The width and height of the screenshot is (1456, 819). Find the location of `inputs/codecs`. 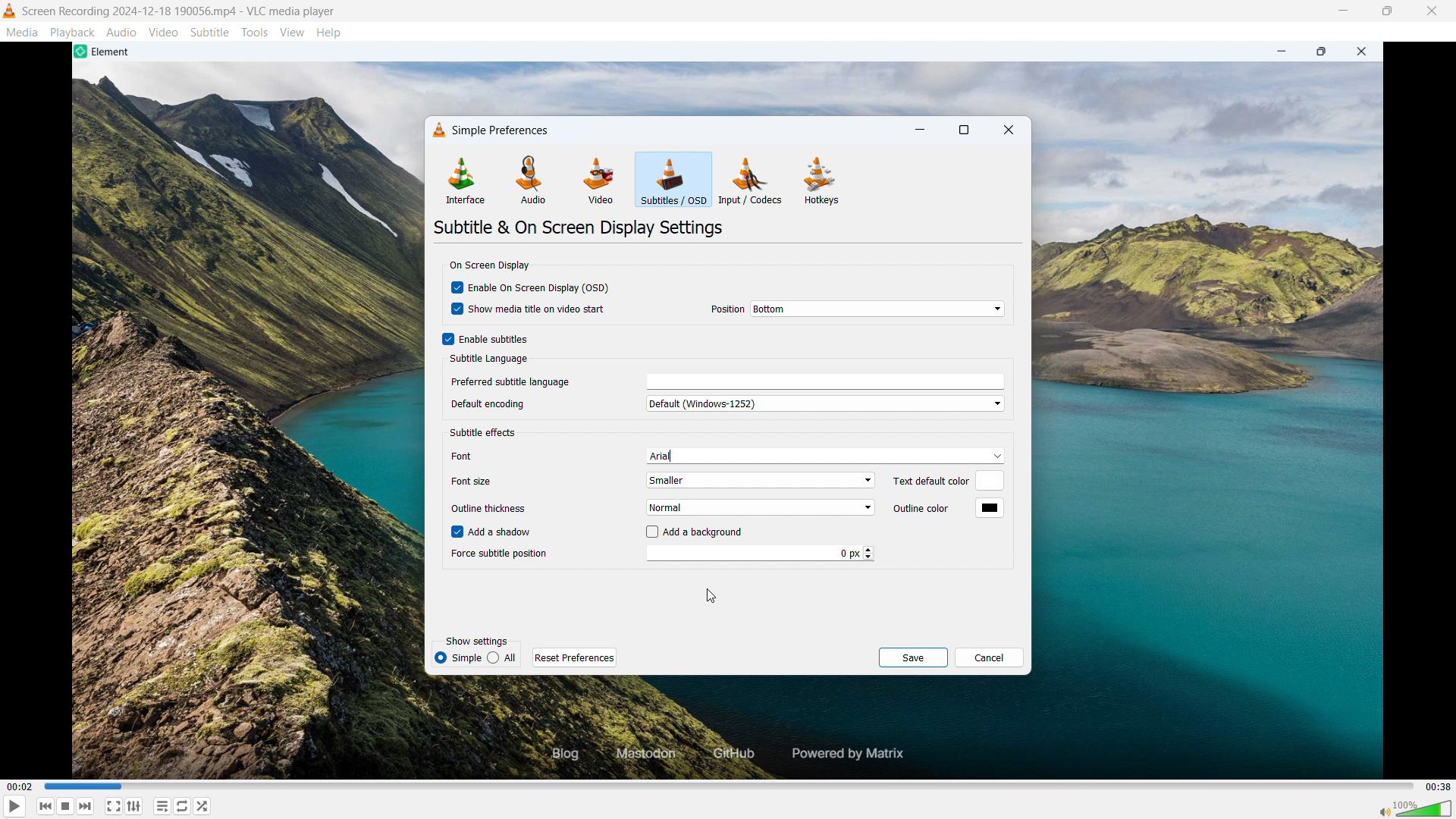

inputs/codecs is located at coordinates (752, 180).